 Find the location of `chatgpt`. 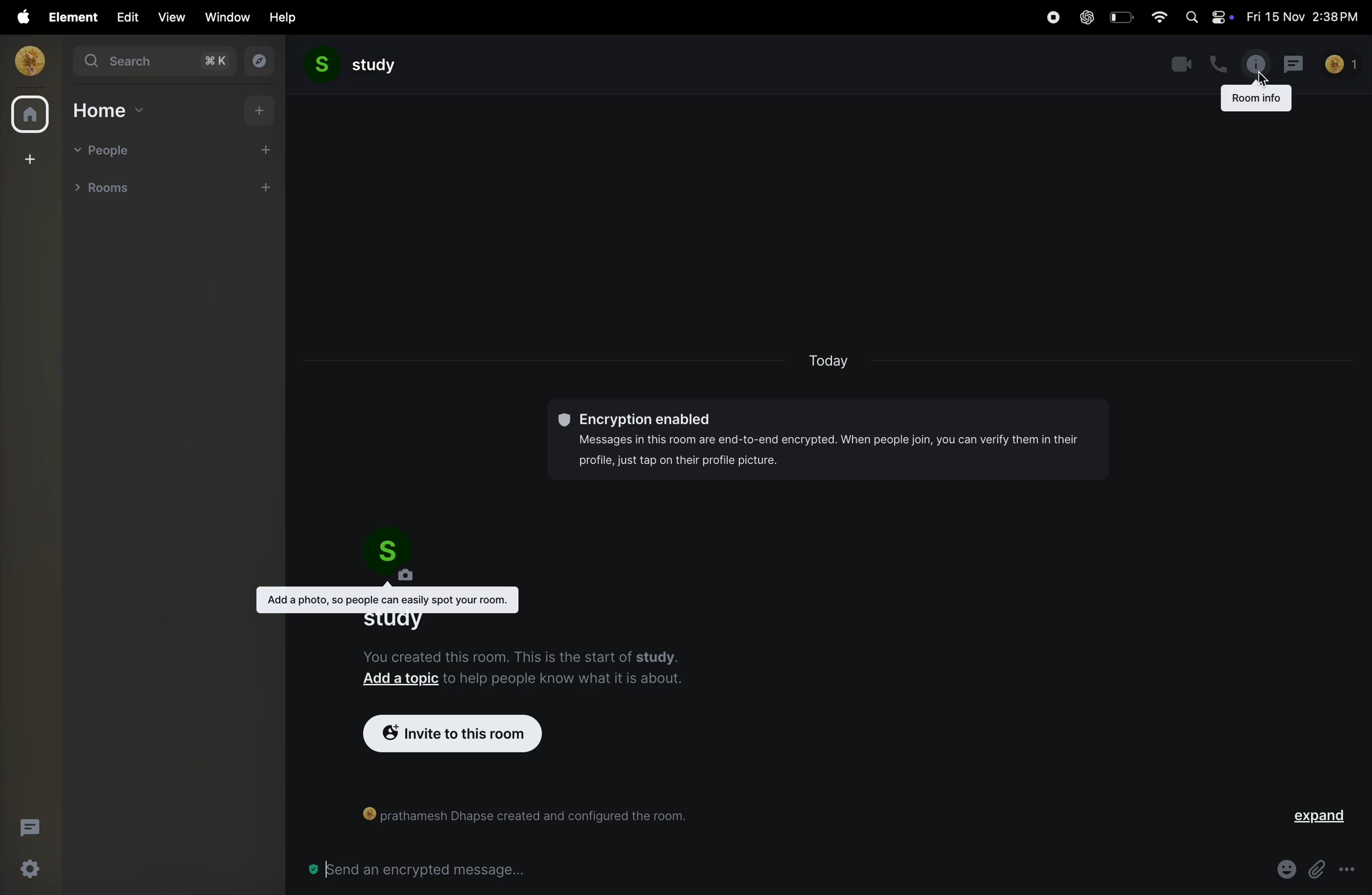

chatgpt is located at coordinates (1086, 18).